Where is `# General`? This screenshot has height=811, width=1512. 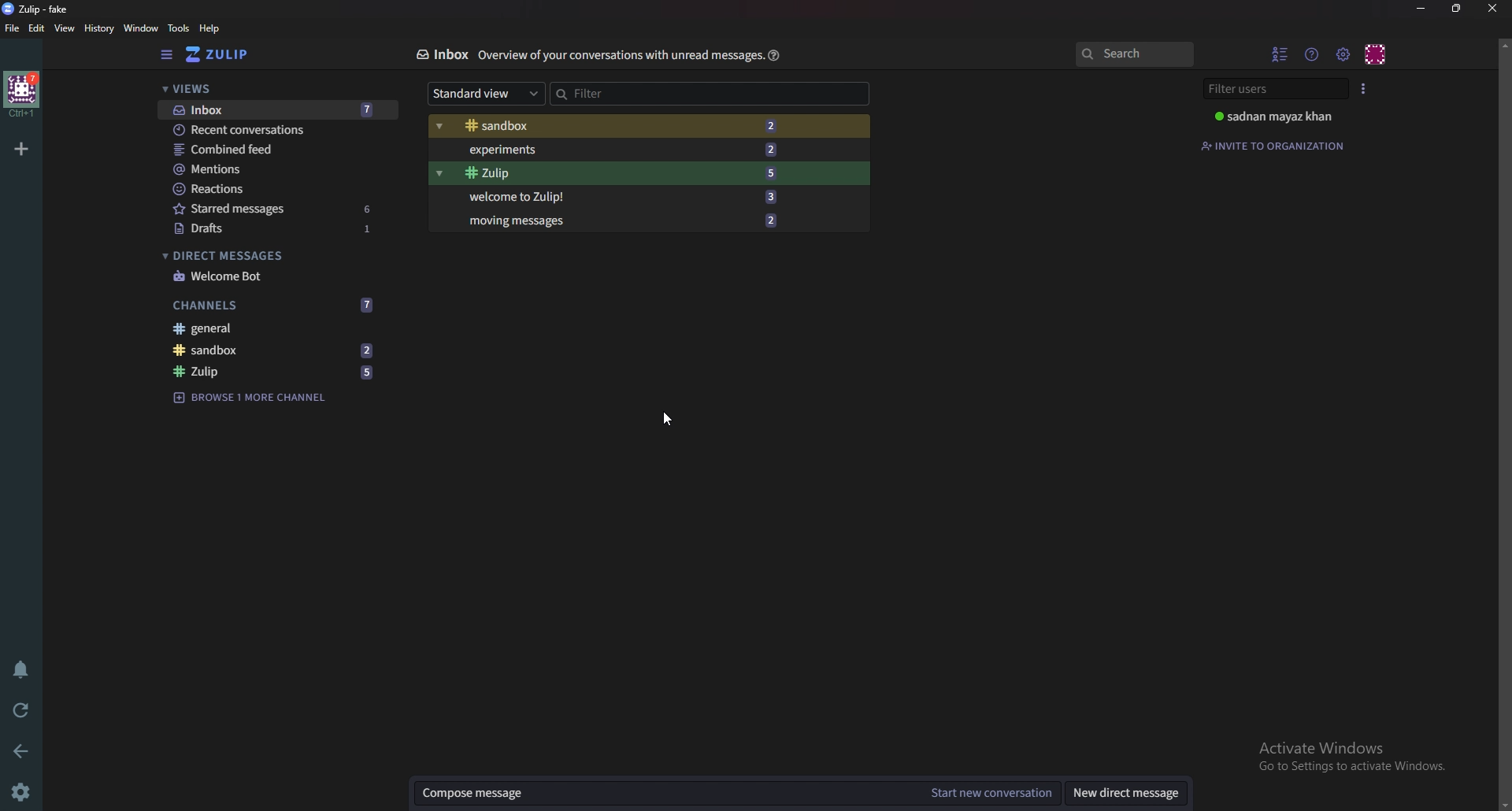
# General is located at coordinates (278, 328).